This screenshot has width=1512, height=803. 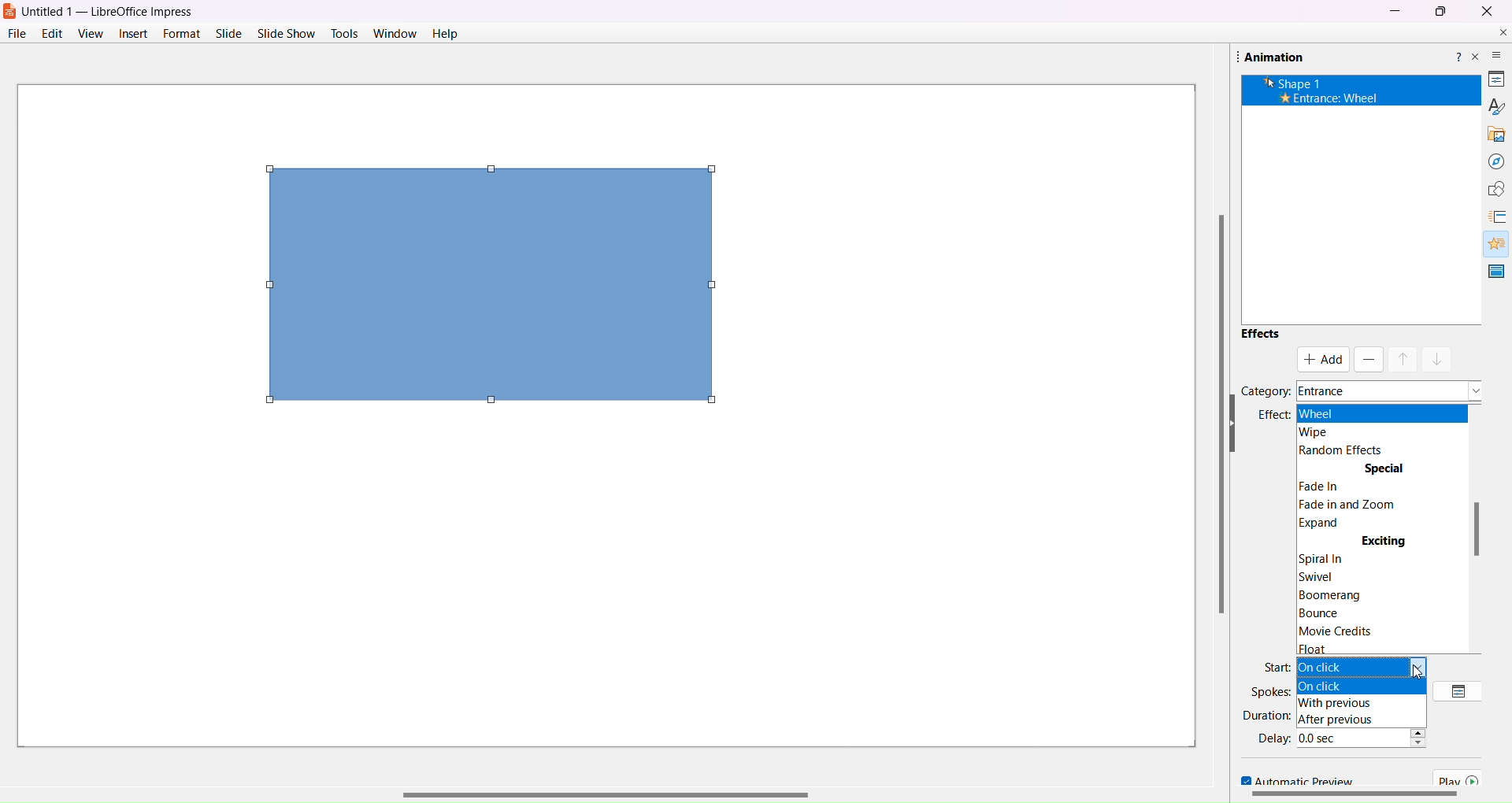 I want to click on Master Slide, so click(x=1497, y=271).